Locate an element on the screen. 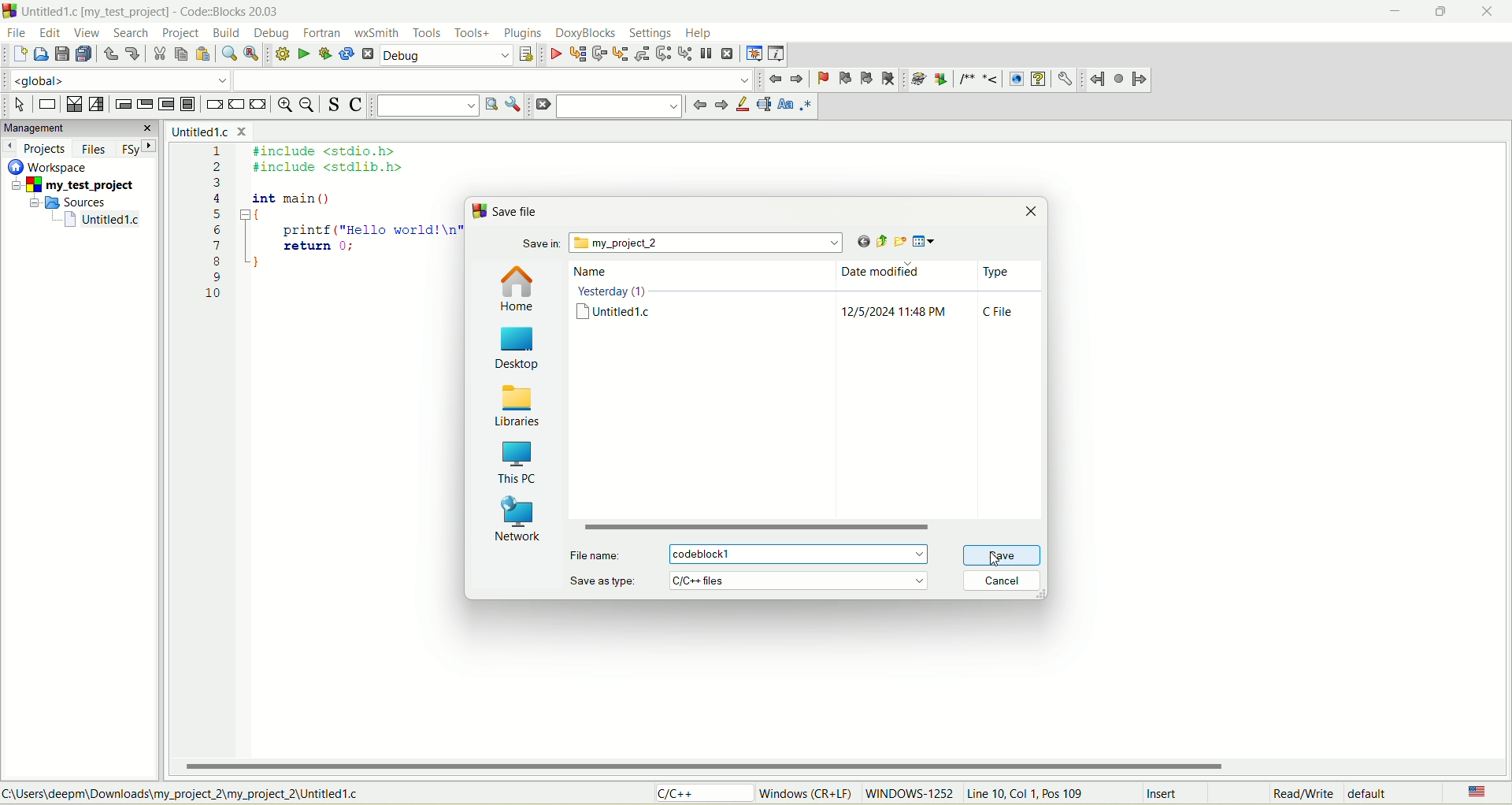  run search is located at coordinates (490, 104).